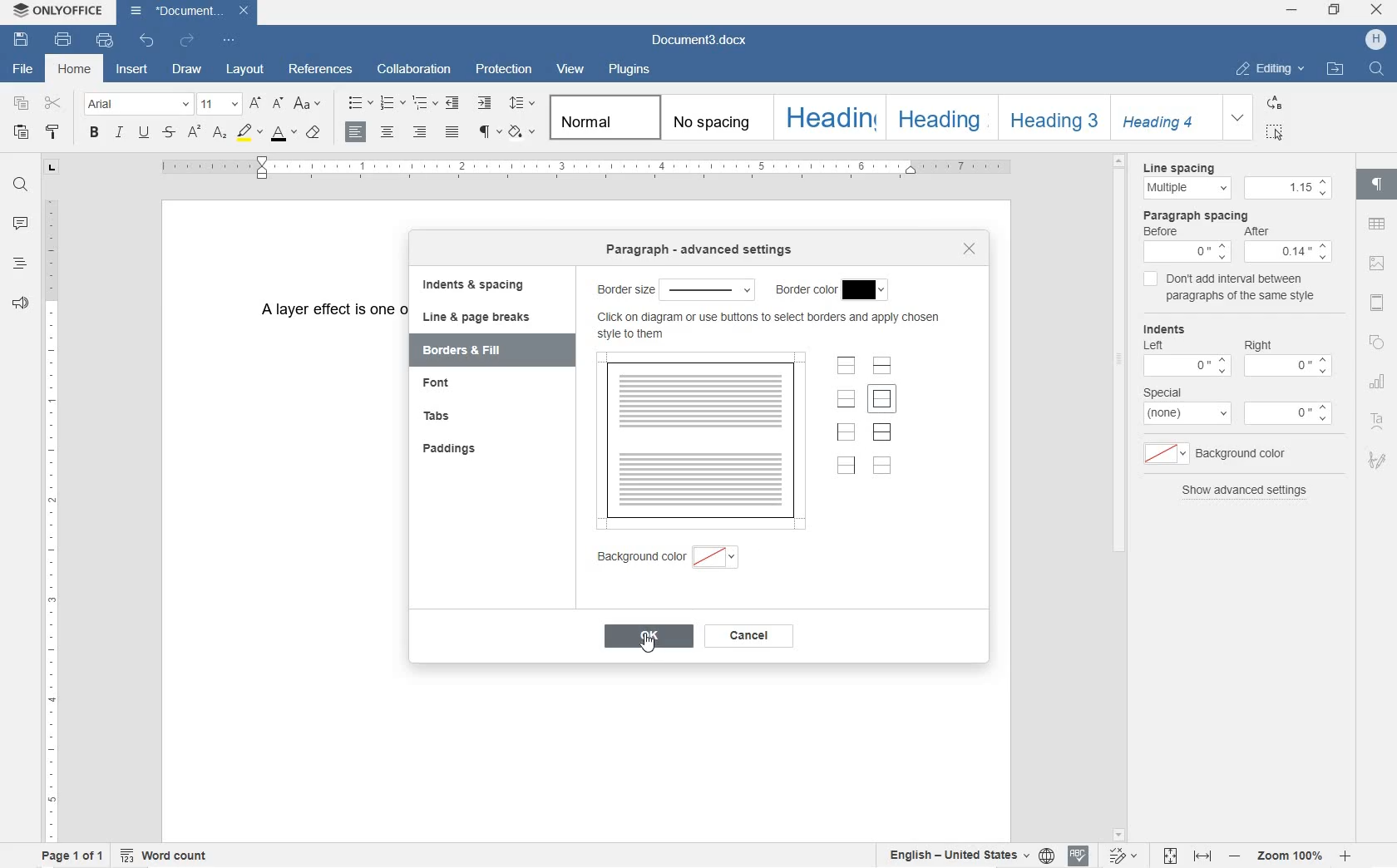  Describe the element at coordinates (462, 387) in the screenshot. I see `font` at that location.